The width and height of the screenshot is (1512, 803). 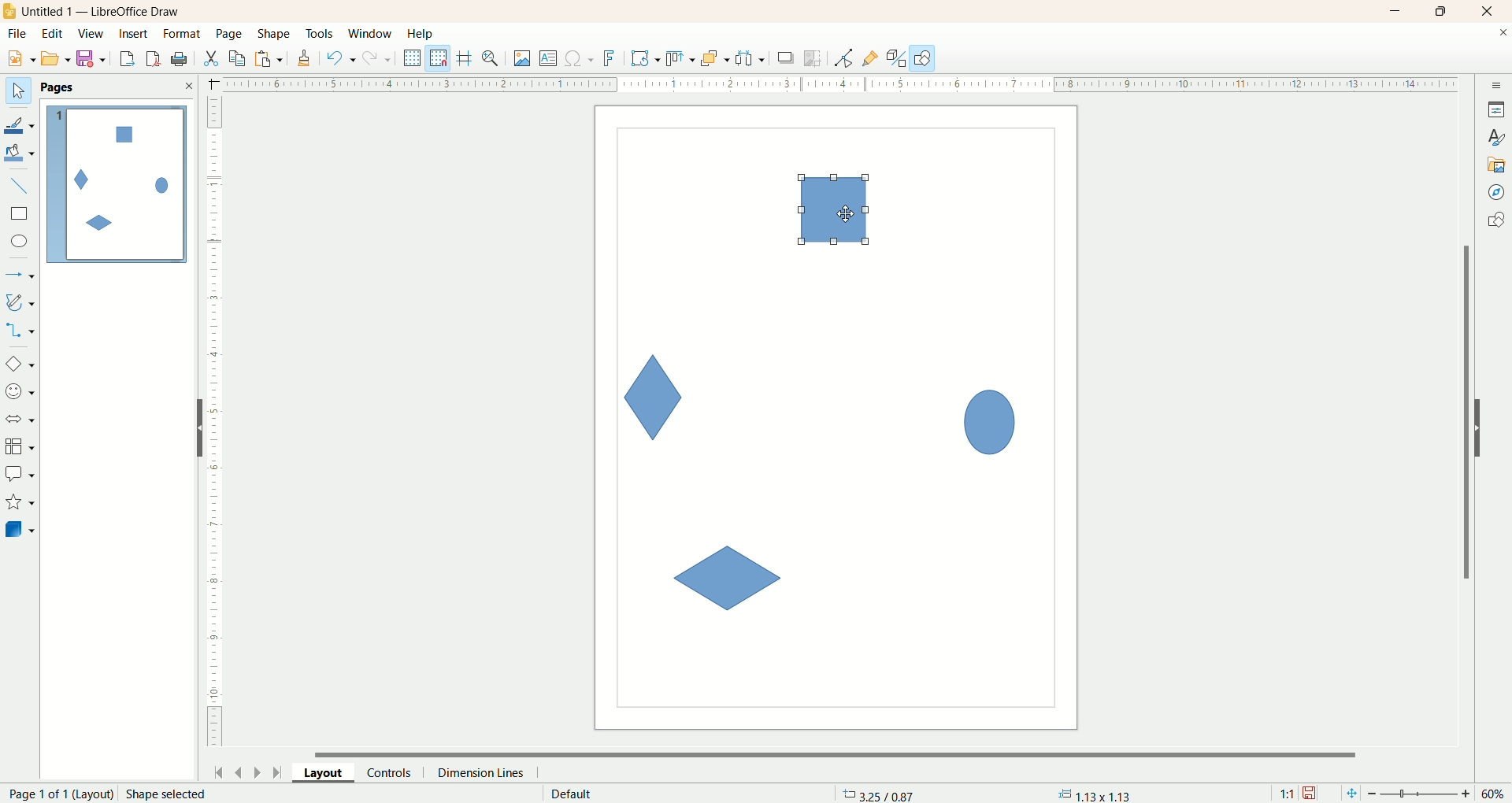 What do you see at coordinates (341, 58) in the screenshot?
I see `undo` at bounding box center [341, 58].